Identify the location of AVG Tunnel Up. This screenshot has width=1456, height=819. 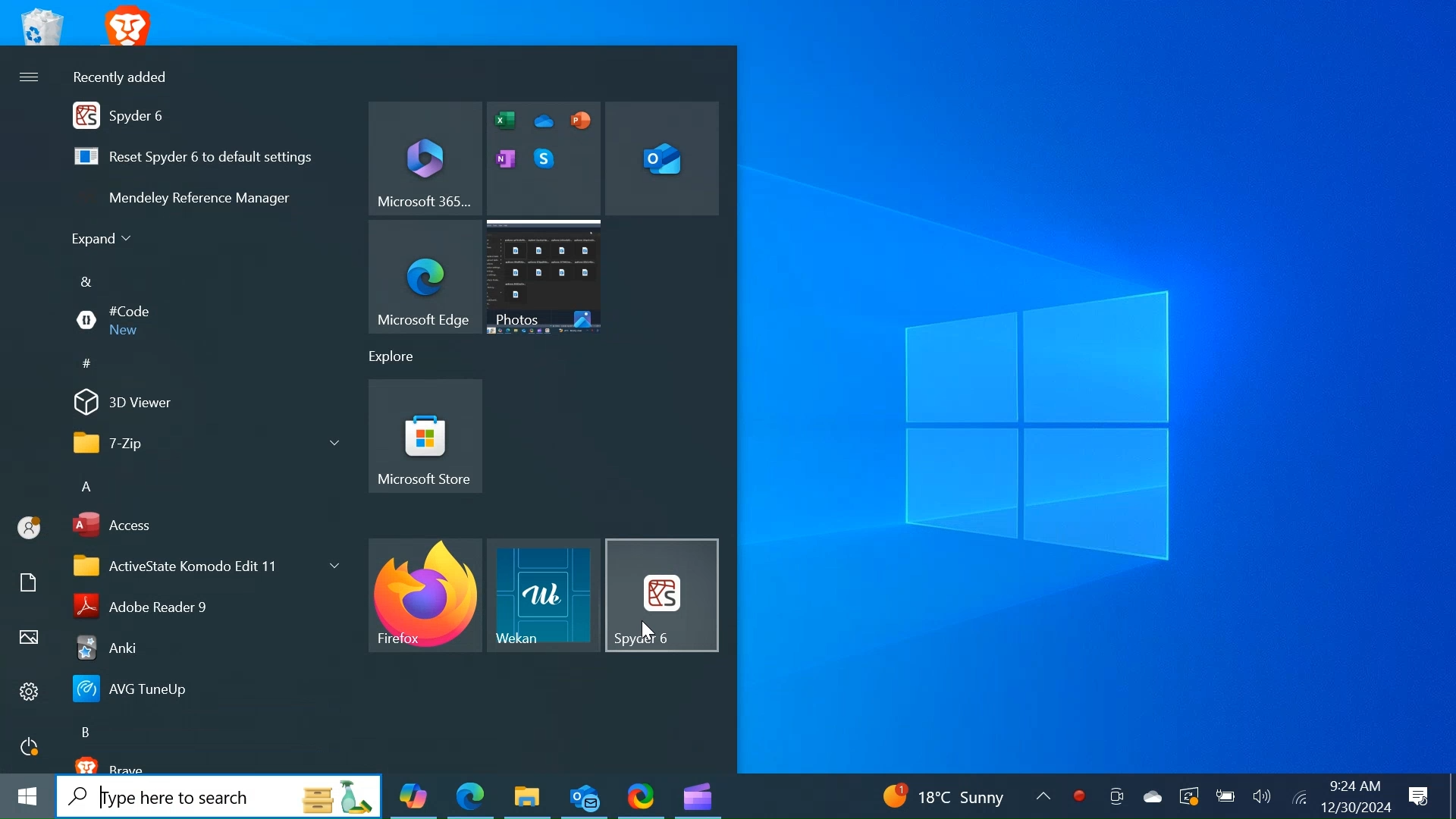
(198, 690).